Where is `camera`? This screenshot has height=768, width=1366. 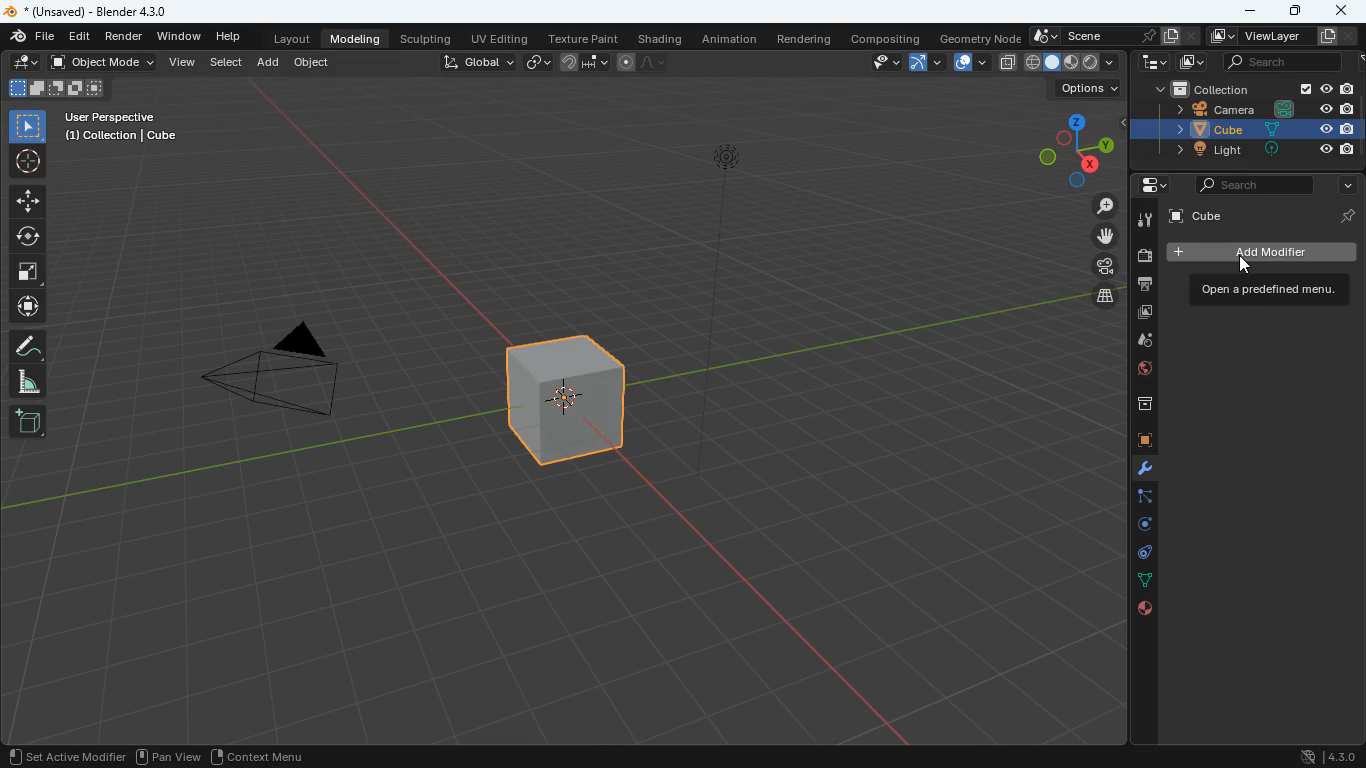
camera is located at coordinates (283, 374).